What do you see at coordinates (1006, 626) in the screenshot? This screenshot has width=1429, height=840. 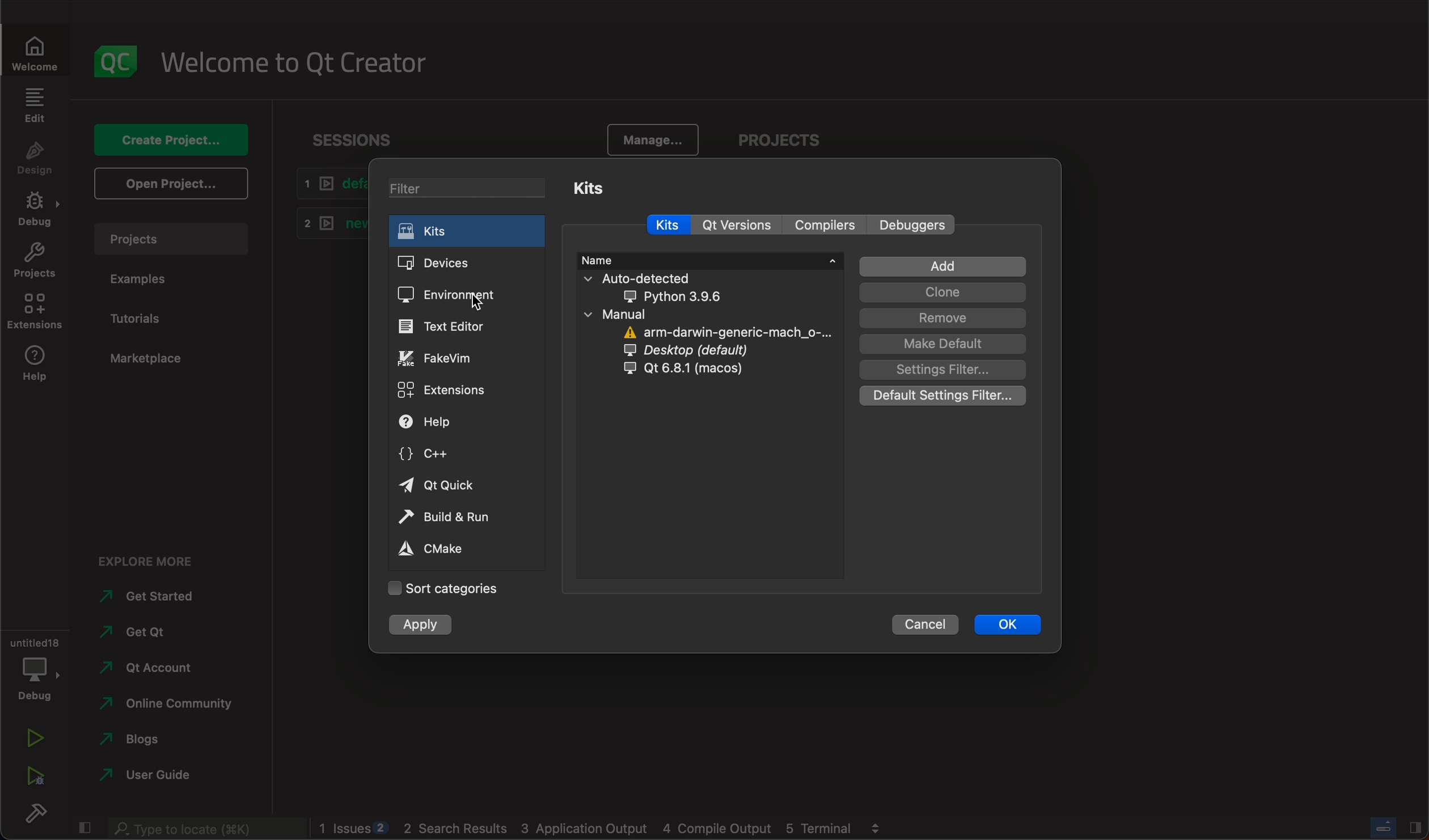 I see `ok` at bounding box center [1006, 626].